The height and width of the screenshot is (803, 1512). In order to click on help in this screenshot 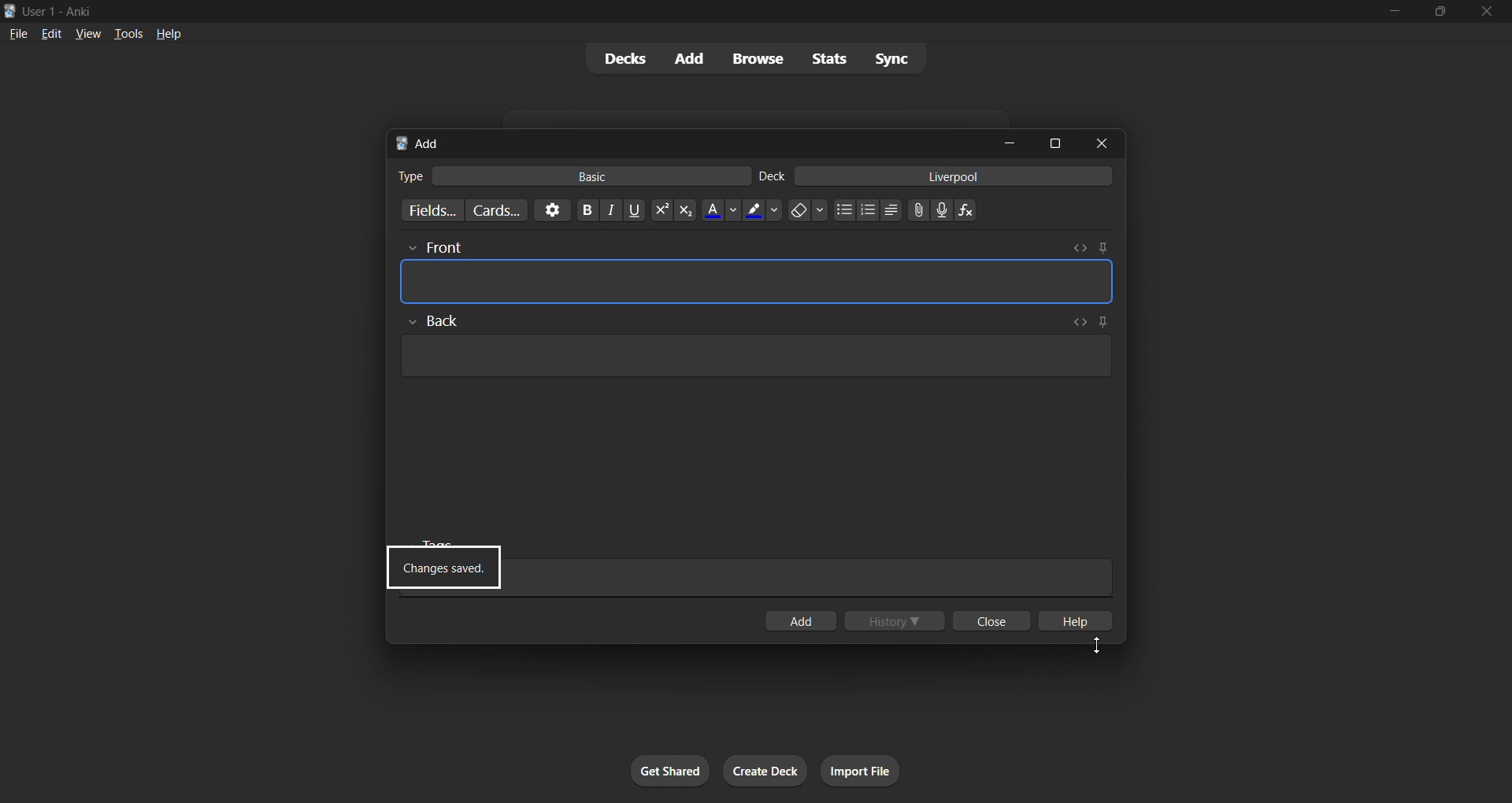, I will do `click(171, 35)`.